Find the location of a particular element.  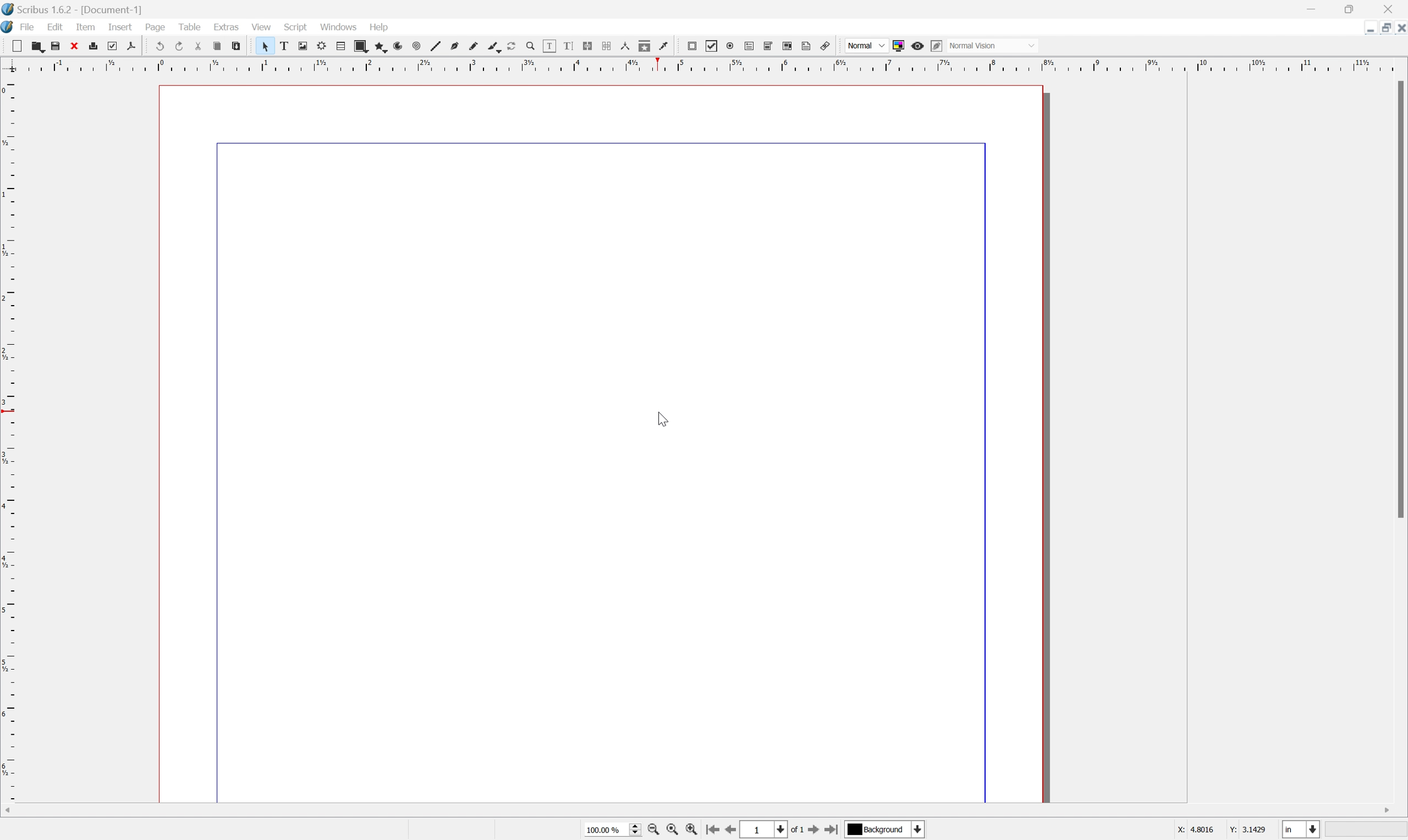

calligraphic line is located at coordinates (493, 45).